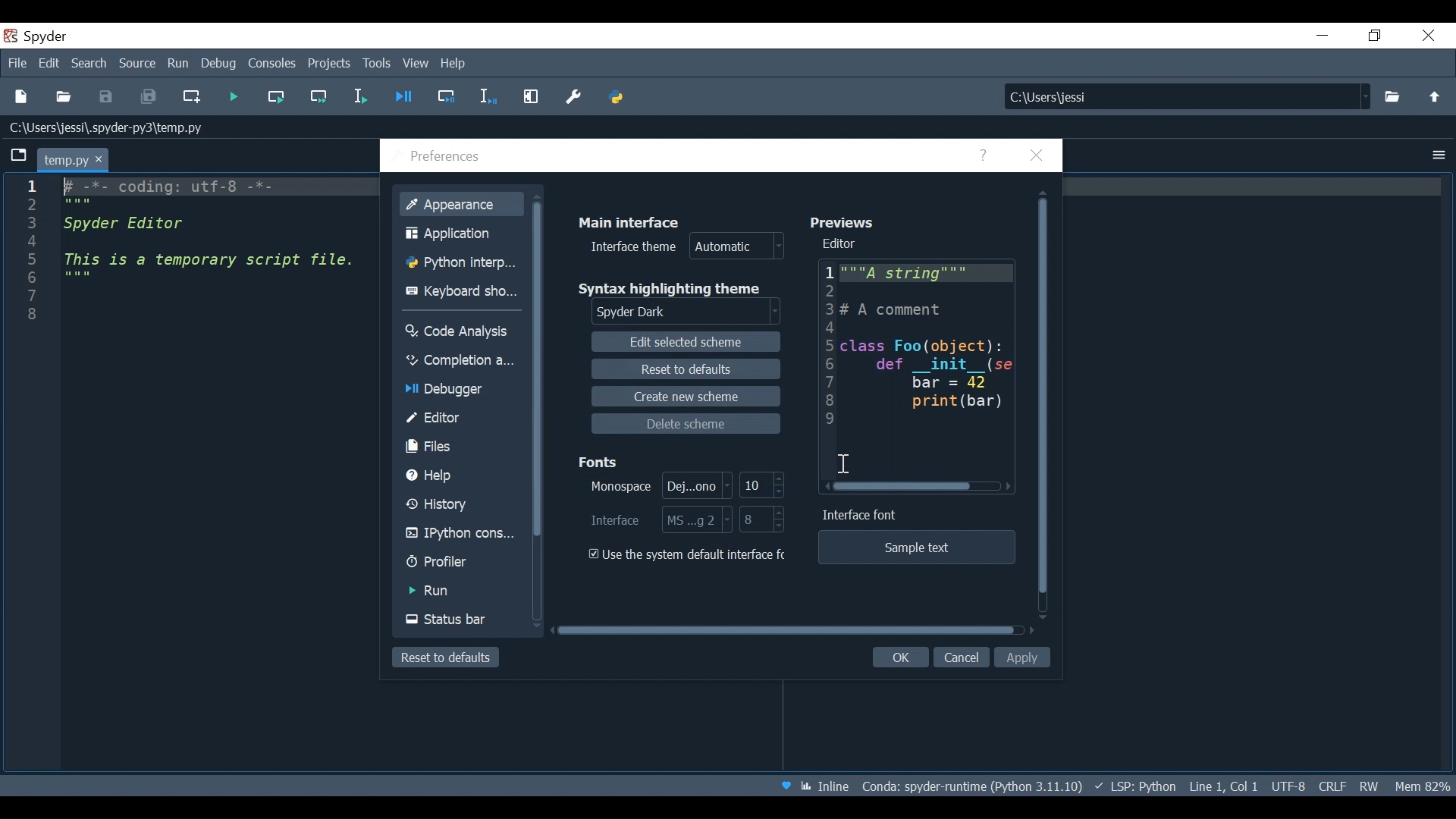 Image resolution: width=1456 pixels, height=819 pixels. Describe the element at coordinates (36, 37) in the screenshot. I see `Spyder Desktop Icon` at that location.